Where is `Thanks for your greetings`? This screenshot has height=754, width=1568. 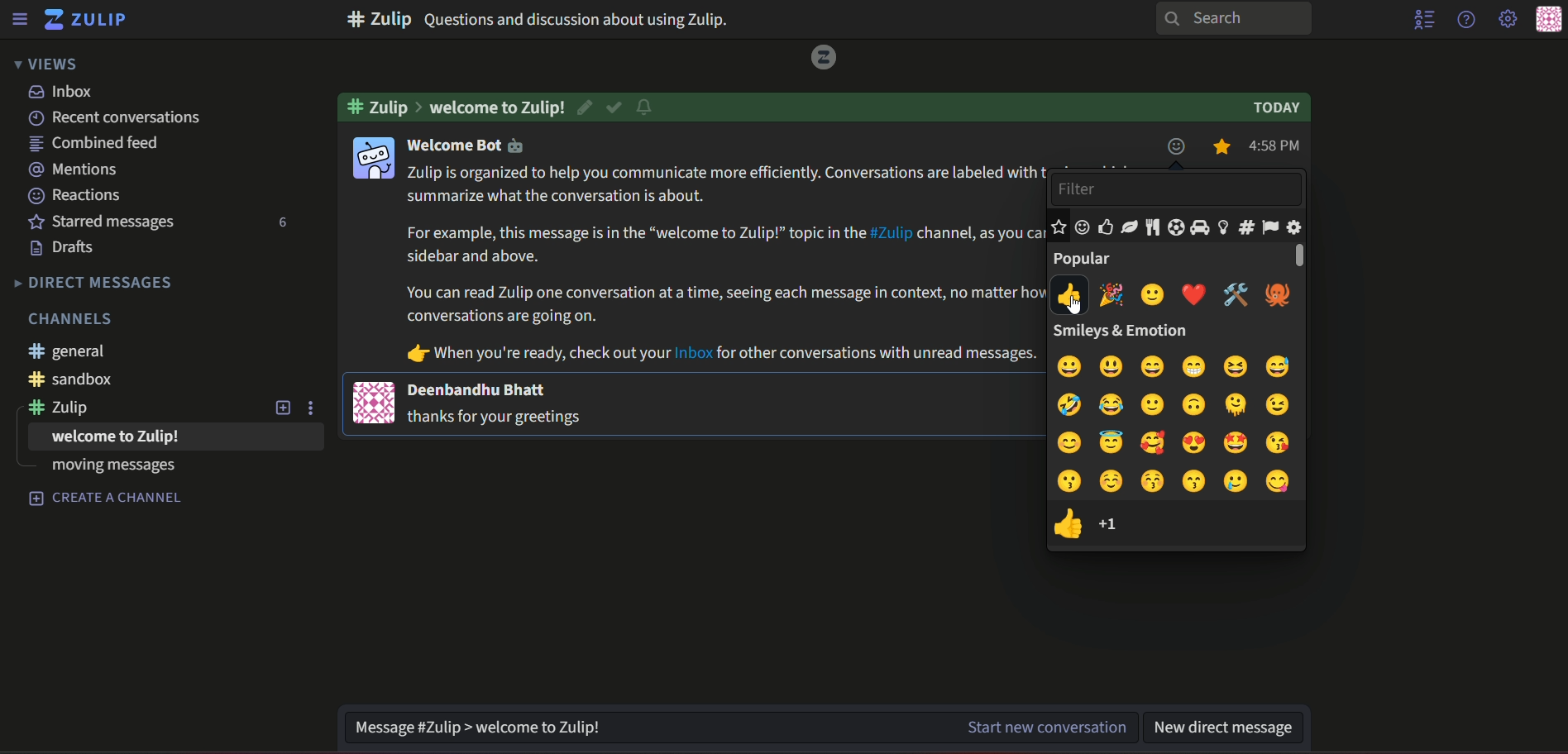 Thanks for your greetings is located at coordinates (497, 418).